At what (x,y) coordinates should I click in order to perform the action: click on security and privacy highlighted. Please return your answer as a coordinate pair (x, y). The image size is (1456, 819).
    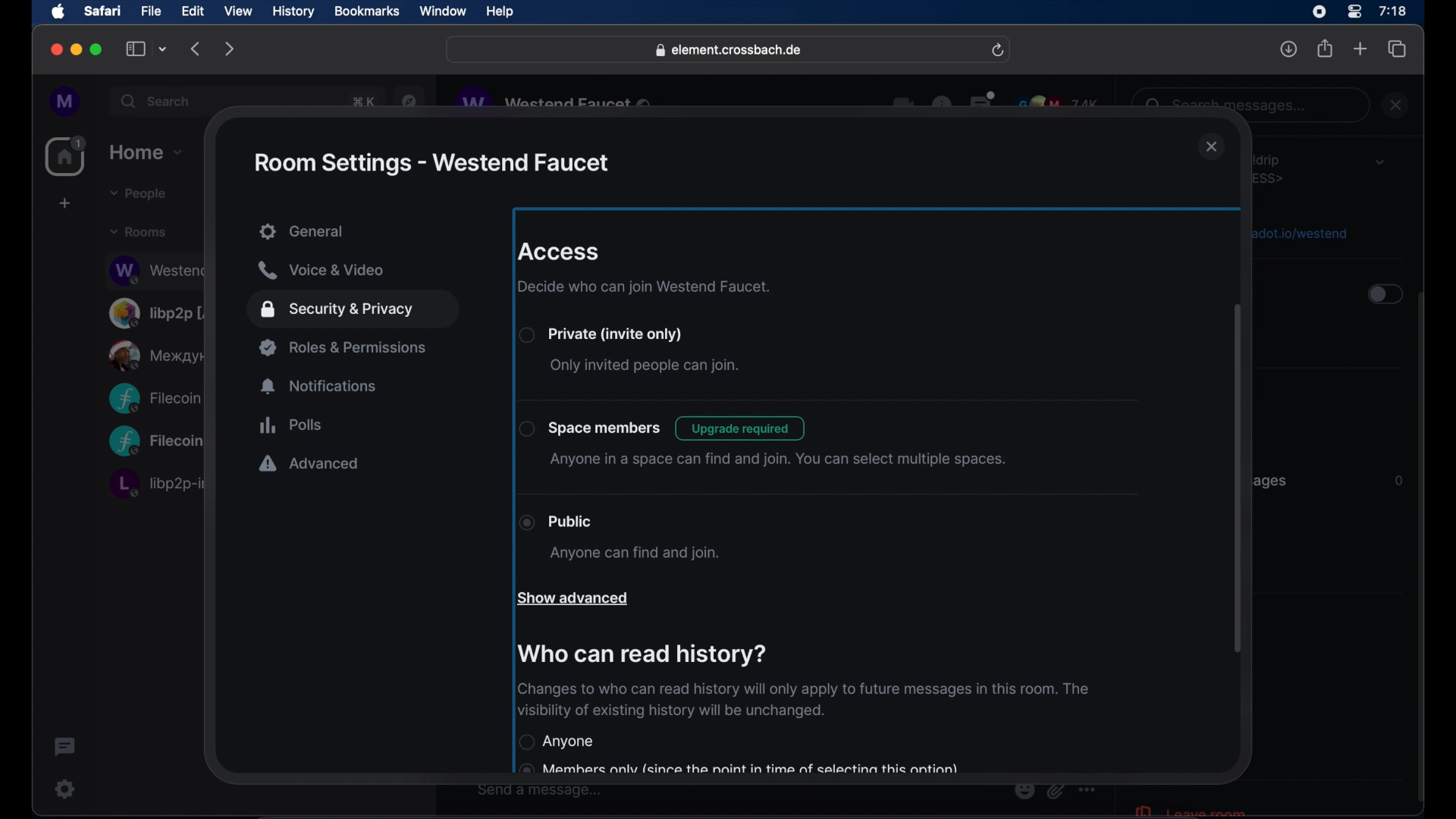
    Looking at the image, I should click on (353, 310).